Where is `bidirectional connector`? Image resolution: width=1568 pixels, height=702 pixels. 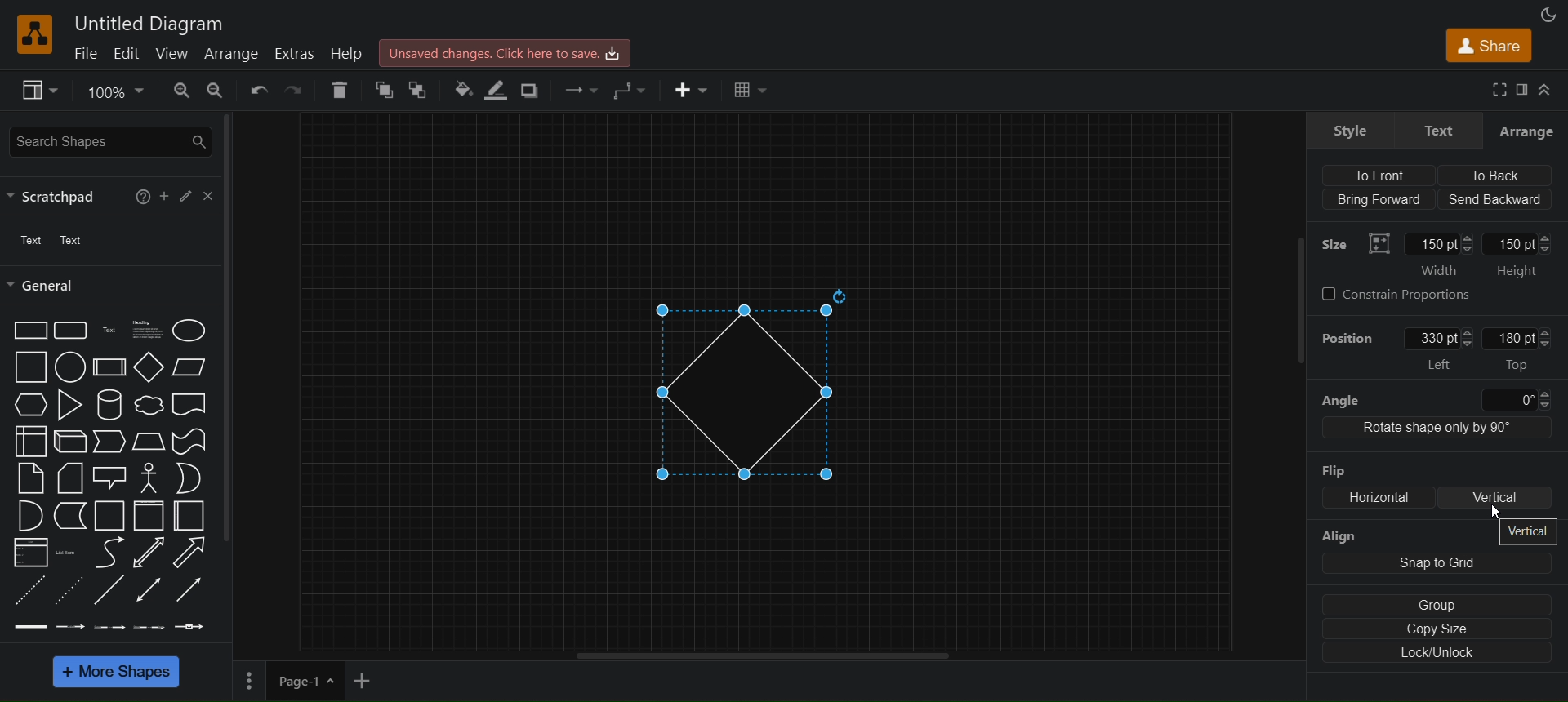
bidirectional connector is located at coordinates (149, 589).